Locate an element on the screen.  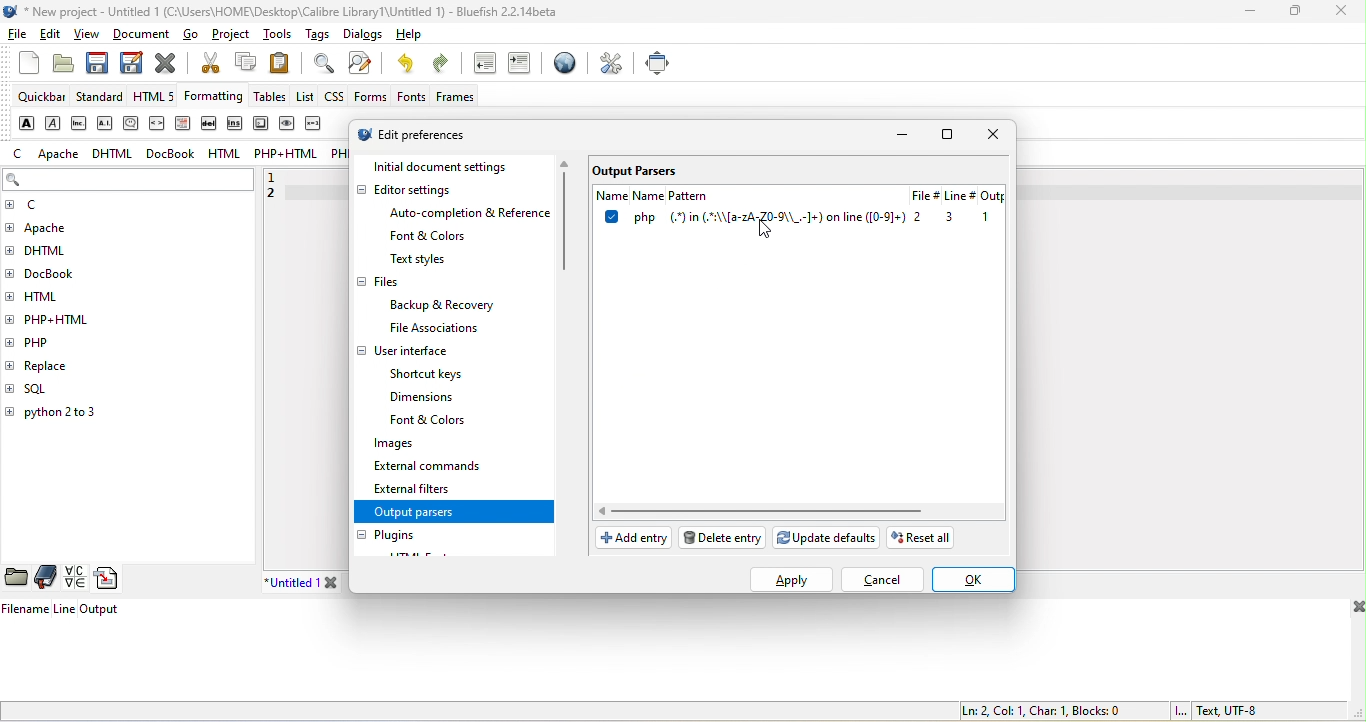
close is located at coordinates (166, 62).